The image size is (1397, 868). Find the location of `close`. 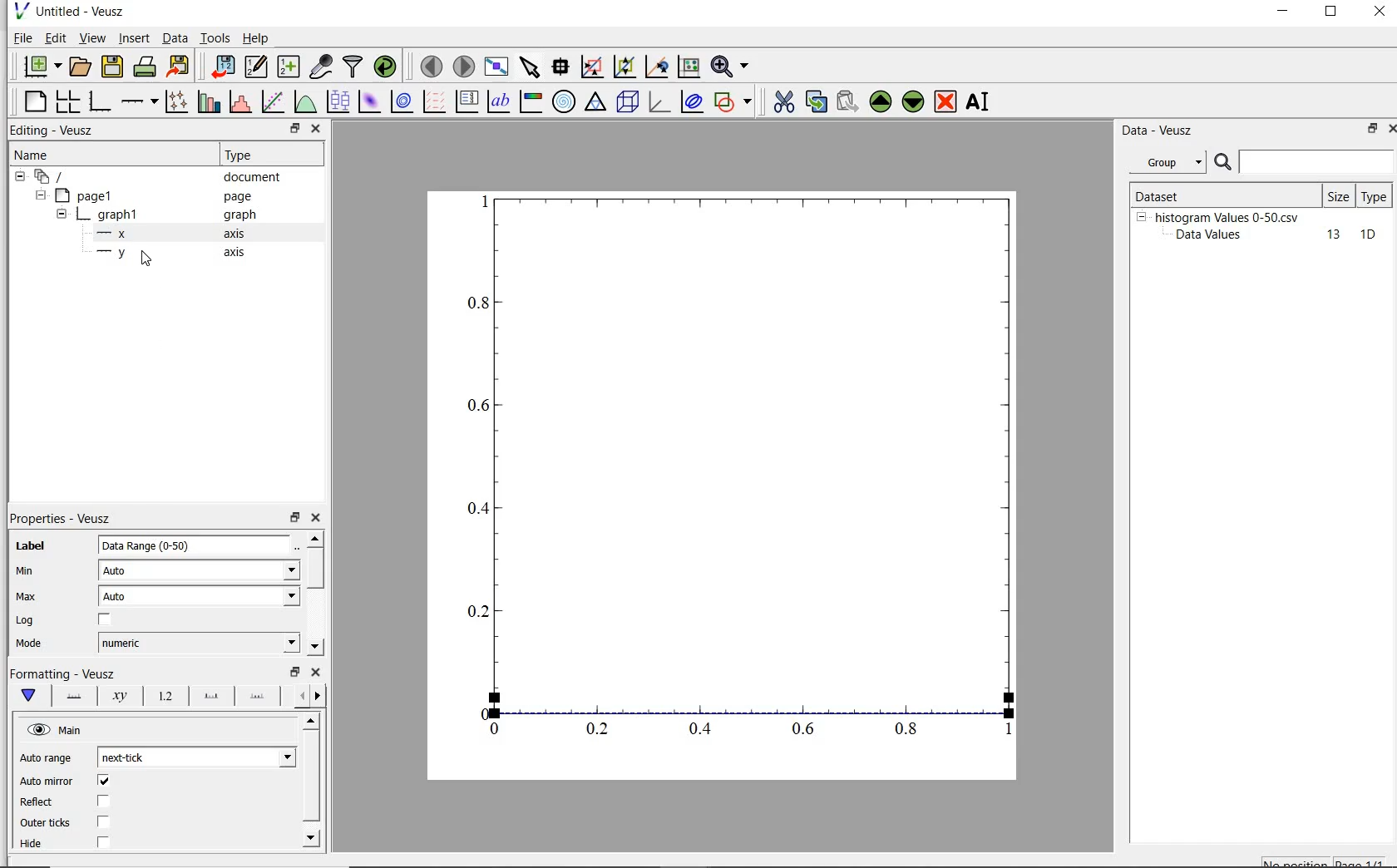

close is located at coordinates (316, 672).